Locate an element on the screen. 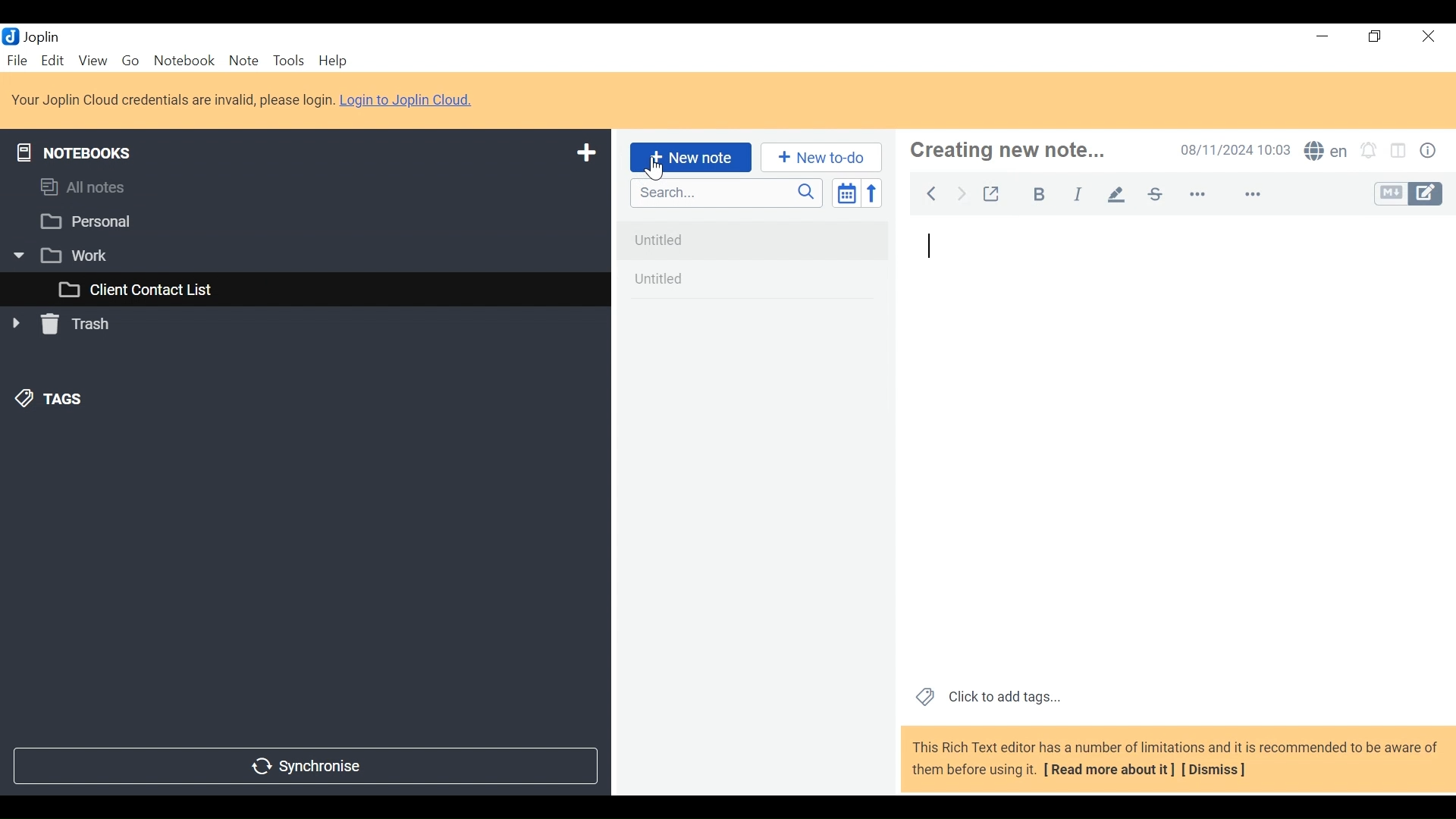  08/11/2024 10:03 is located at coordinates (1235, 149).